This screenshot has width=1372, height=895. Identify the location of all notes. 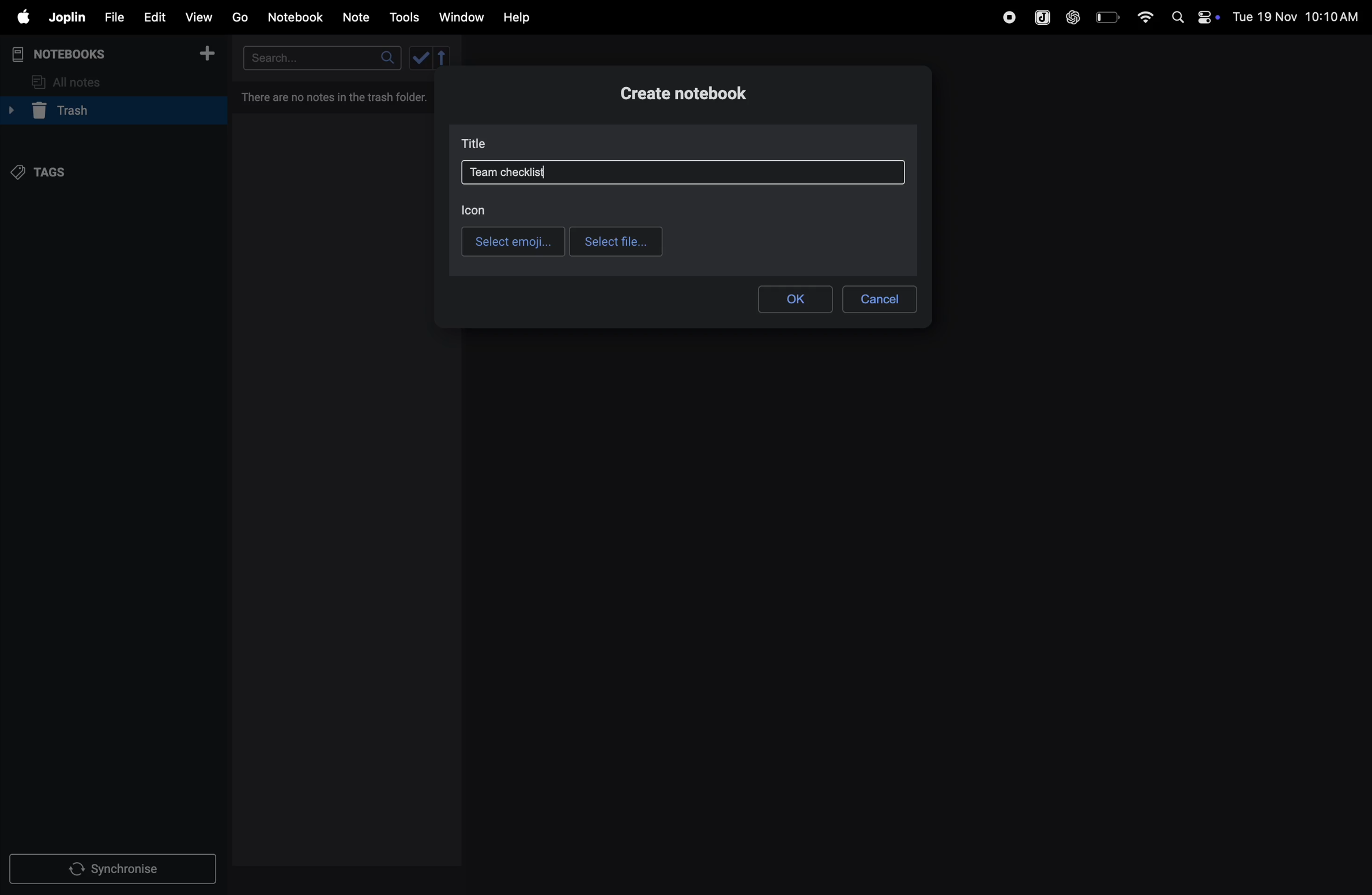
(76, 81).